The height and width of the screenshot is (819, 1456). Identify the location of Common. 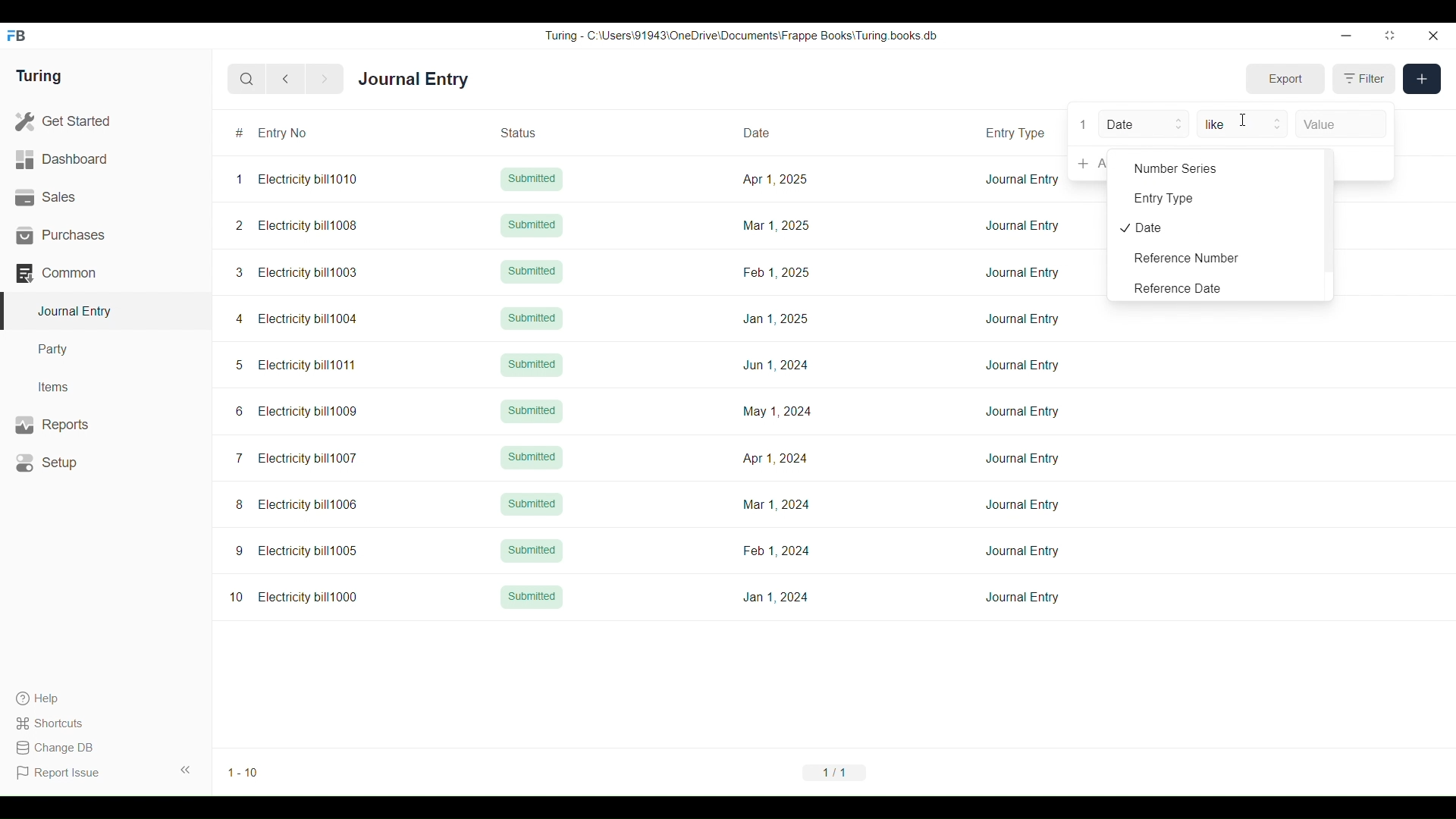
(105, 273).